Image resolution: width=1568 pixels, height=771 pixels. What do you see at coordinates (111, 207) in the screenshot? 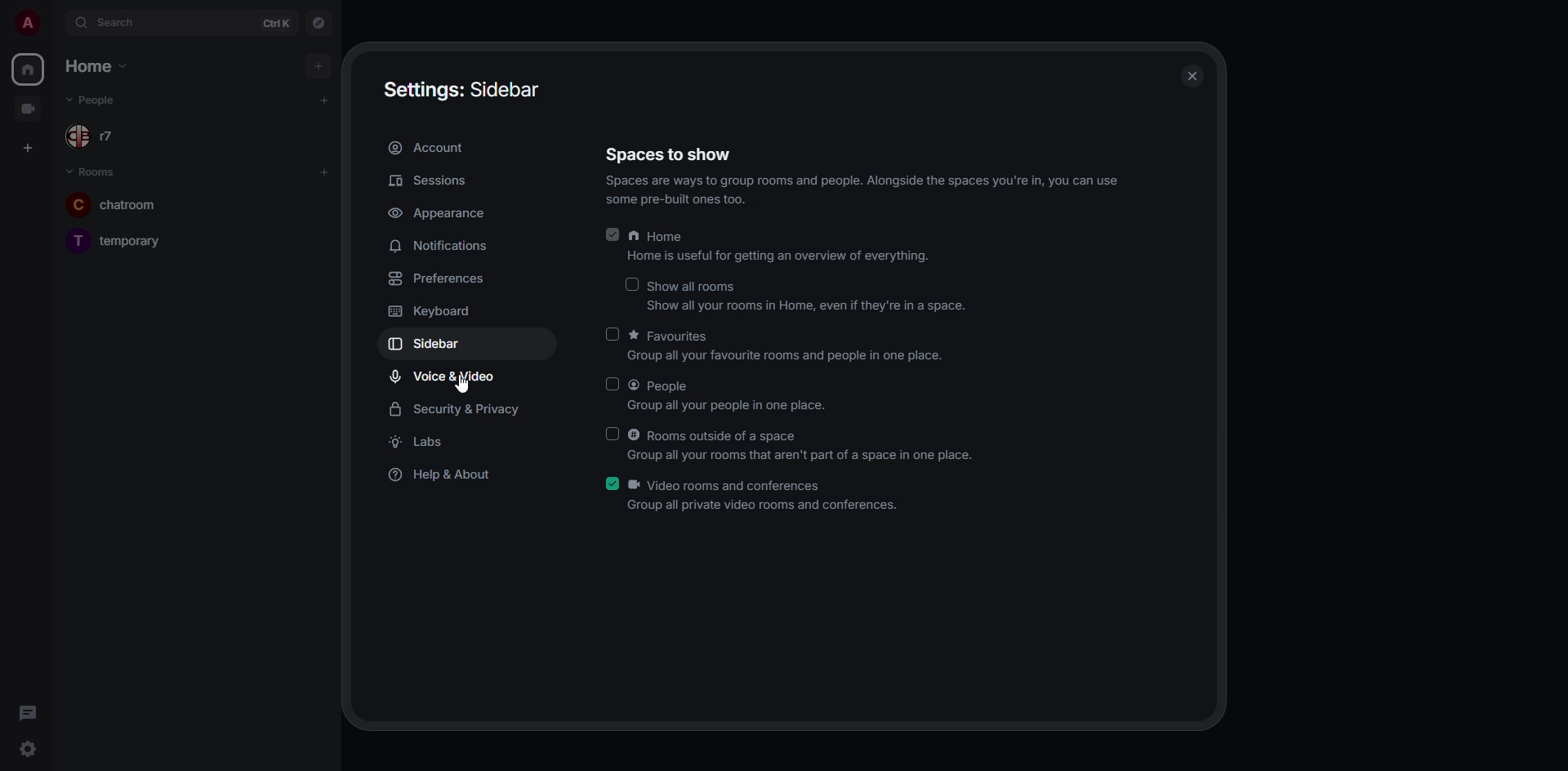
I see `room` at bounding box center [111, 207].